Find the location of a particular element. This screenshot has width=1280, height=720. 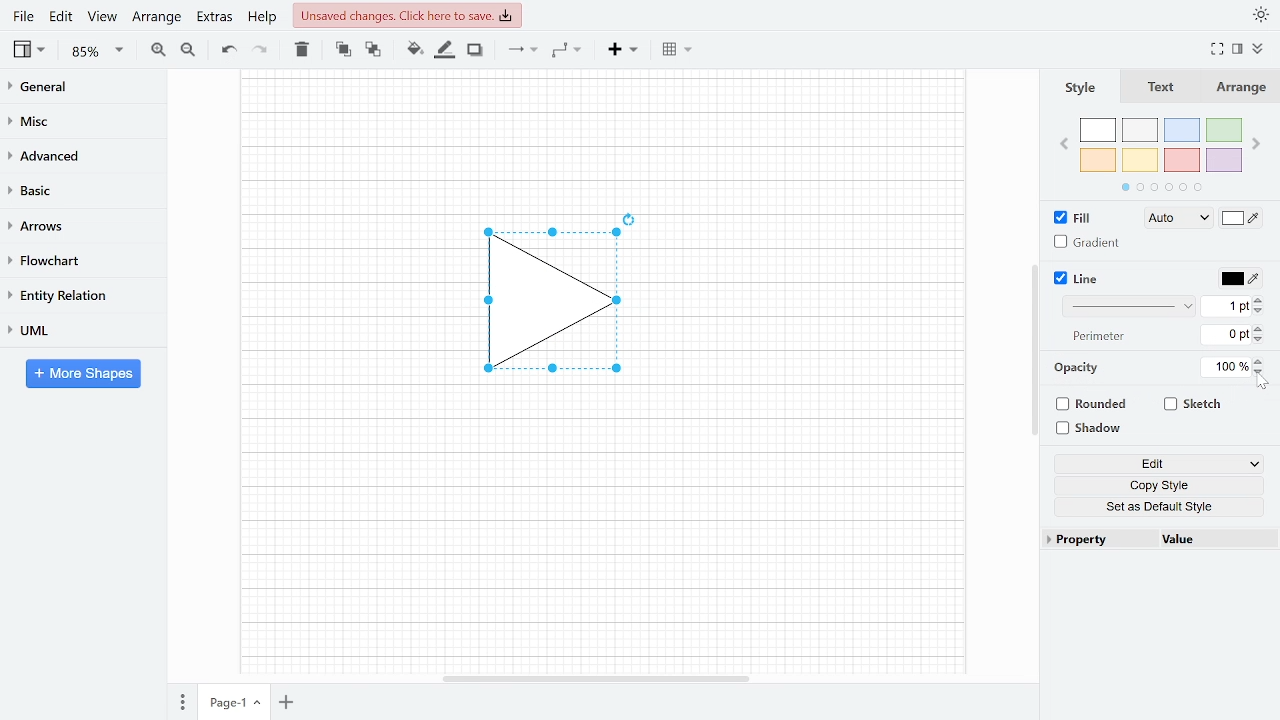

green is located at coordinates (1225, 131).